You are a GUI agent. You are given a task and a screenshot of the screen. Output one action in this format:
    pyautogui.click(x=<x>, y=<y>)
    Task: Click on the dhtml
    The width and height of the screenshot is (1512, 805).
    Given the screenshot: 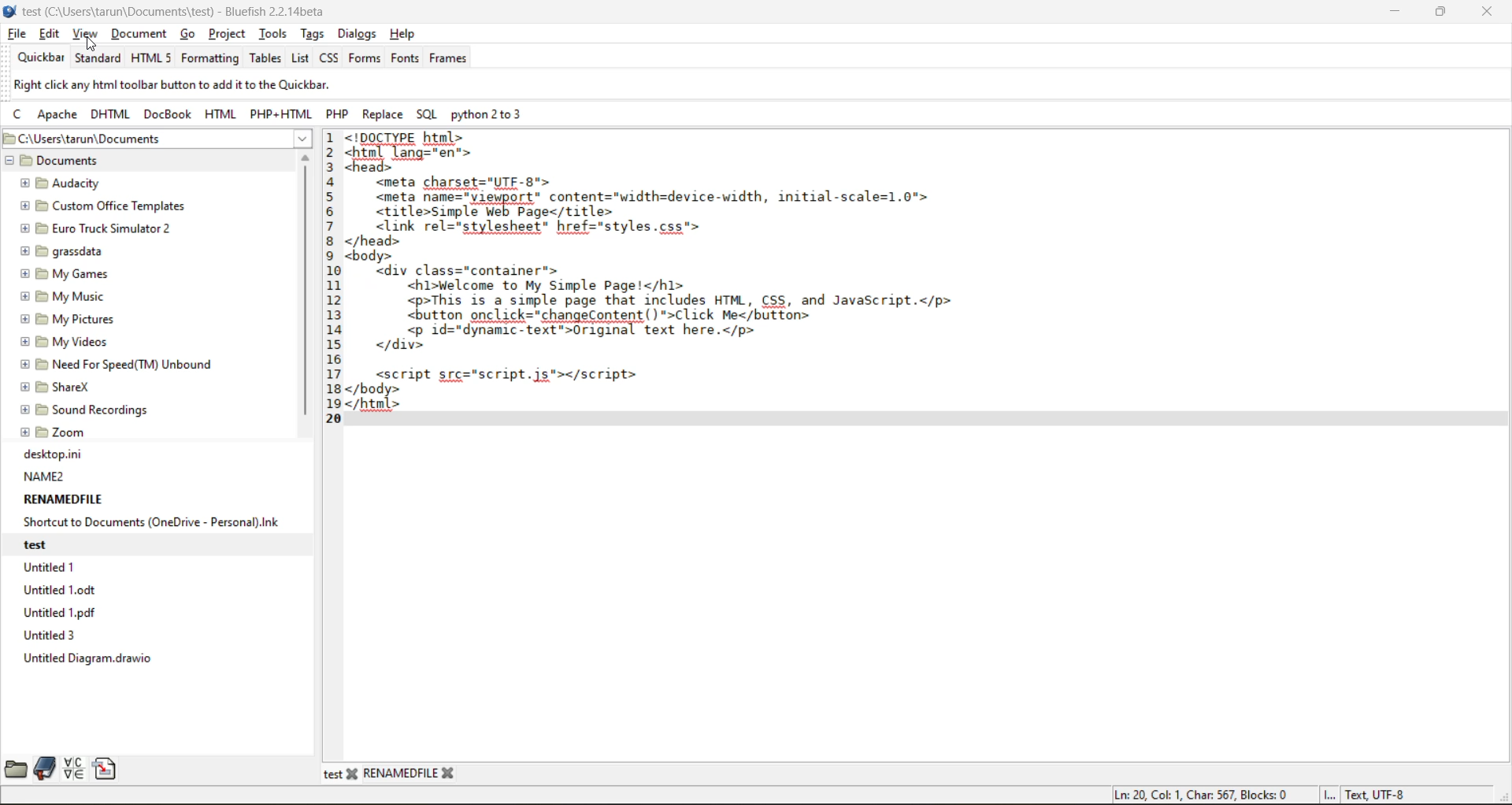 What is the action you would take?
    pyautogui.click(x=109, y=112)
    